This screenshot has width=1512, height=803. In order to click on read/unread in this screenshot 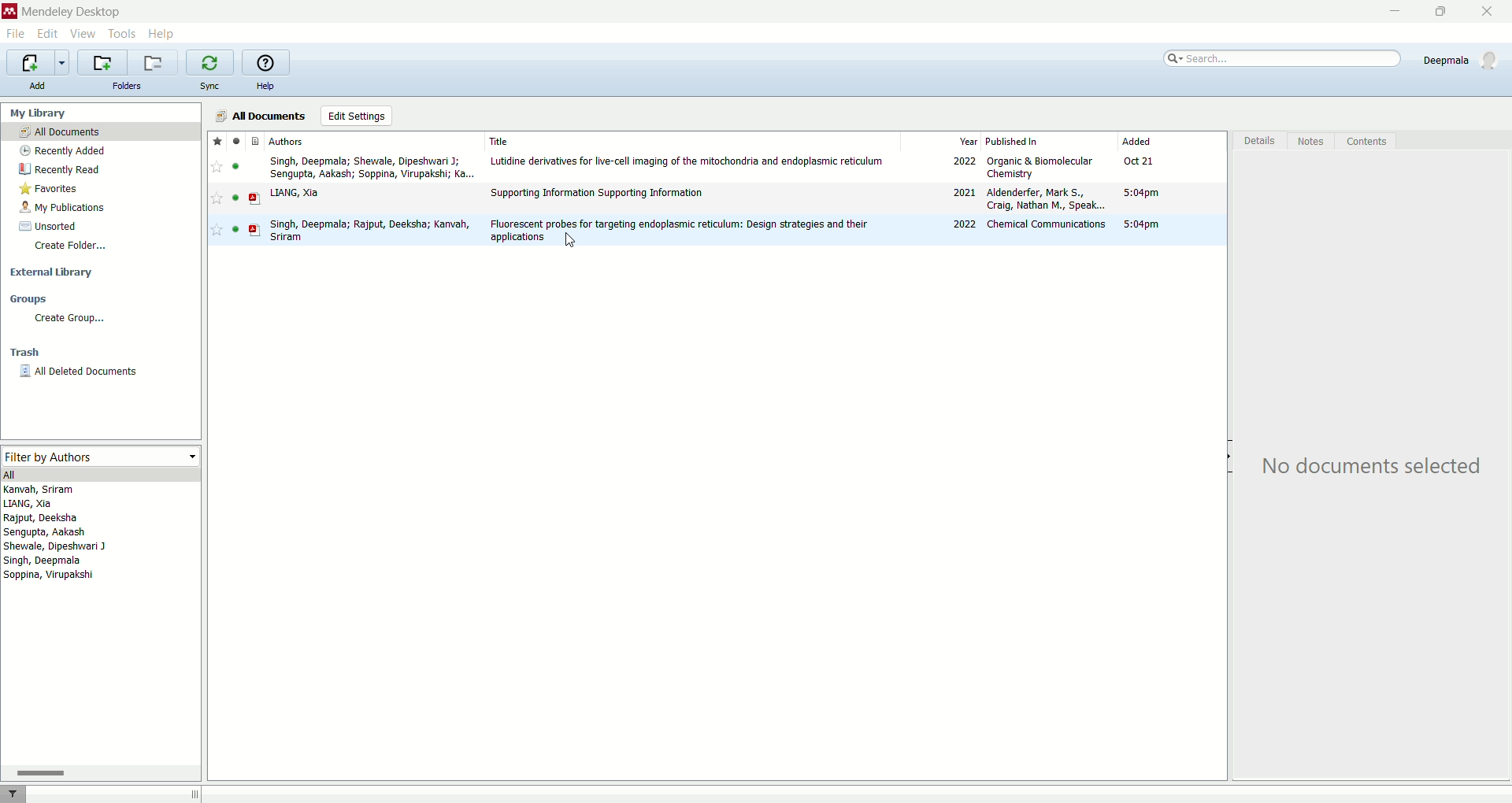, I will do `click(235, 166)`.